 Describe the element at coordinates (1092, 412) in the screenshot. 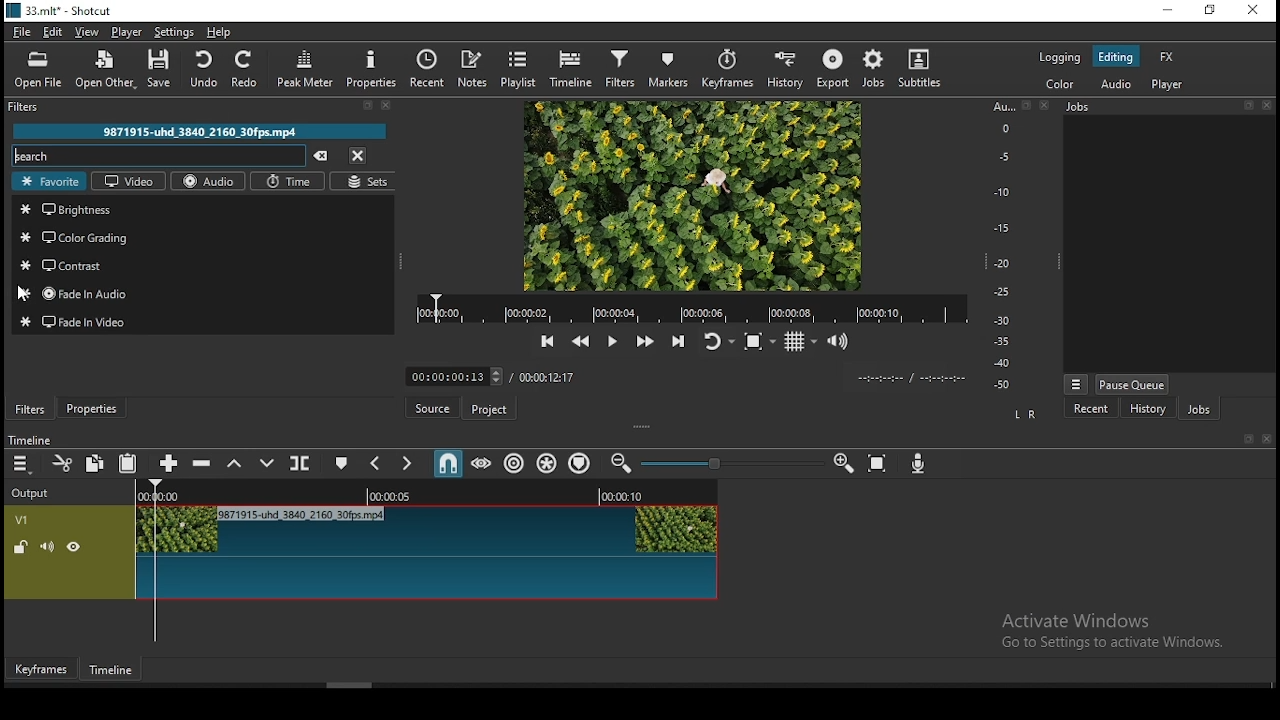

I see `recent` at that location.